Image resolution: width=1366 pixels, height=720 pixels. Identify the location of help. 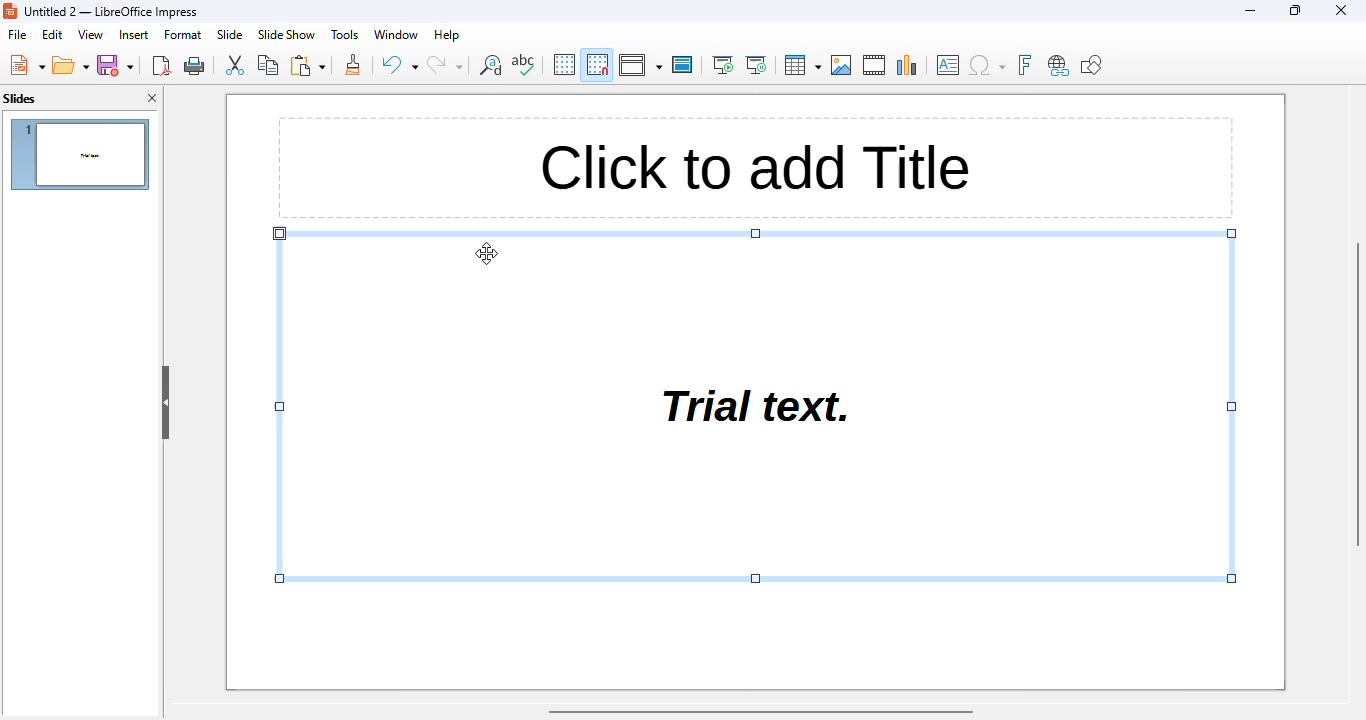
(446, 35).